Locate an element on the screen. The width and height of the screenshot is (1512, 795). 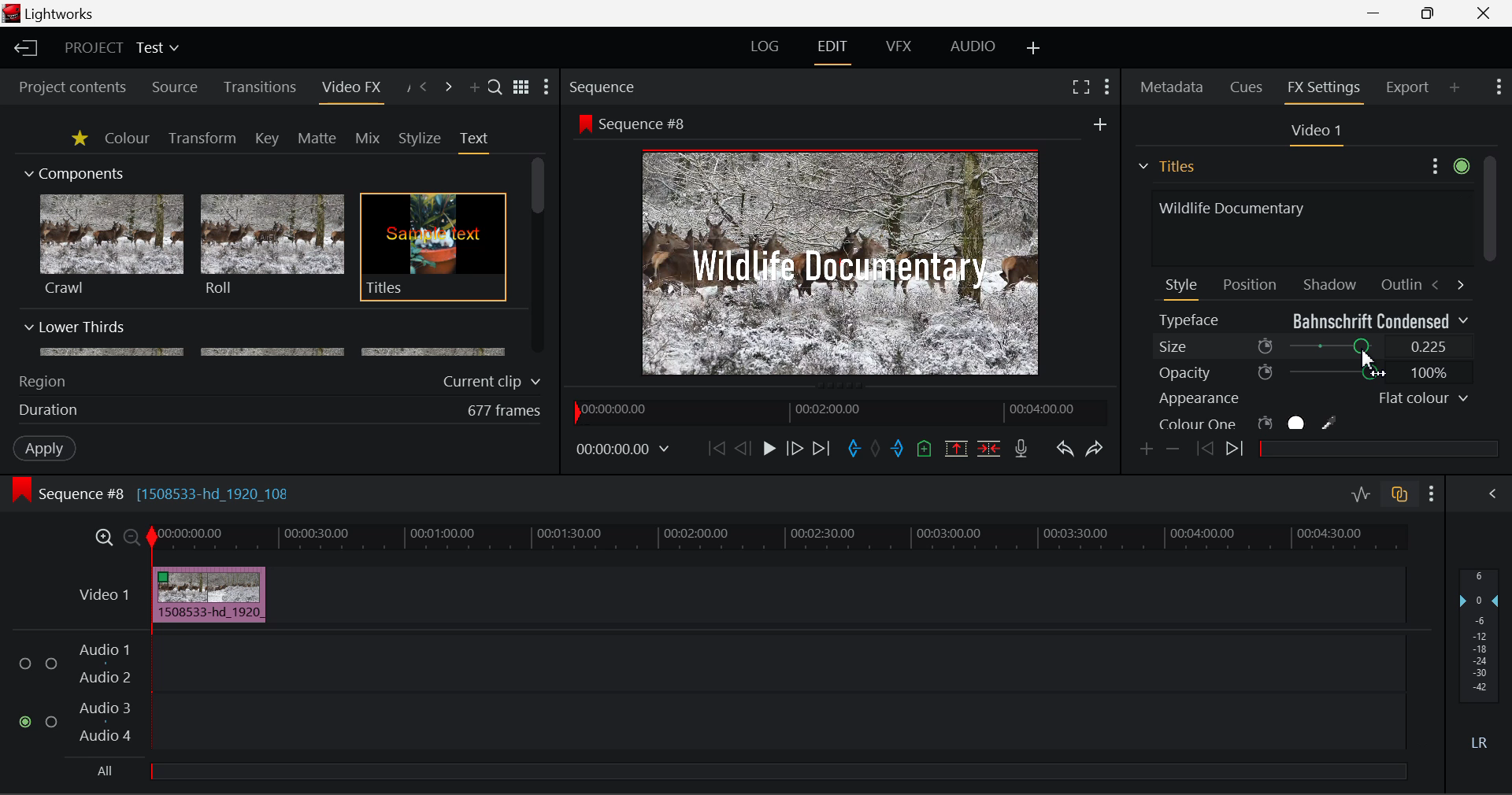
Toggle audio levels editing is located at coordinates (1359, 492).